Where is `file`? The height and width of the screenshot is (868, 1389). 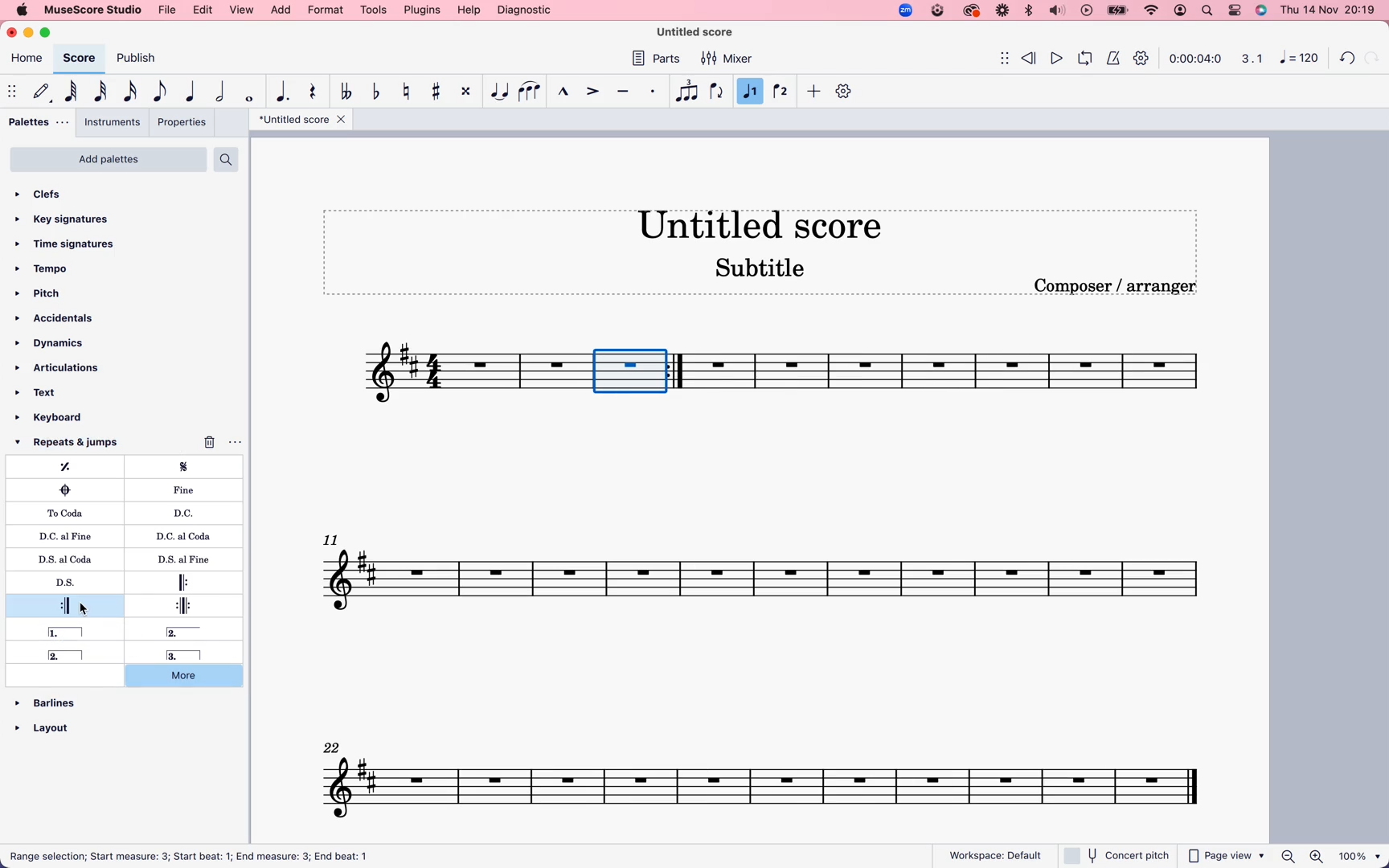 file is located at coordinates (169, 10).